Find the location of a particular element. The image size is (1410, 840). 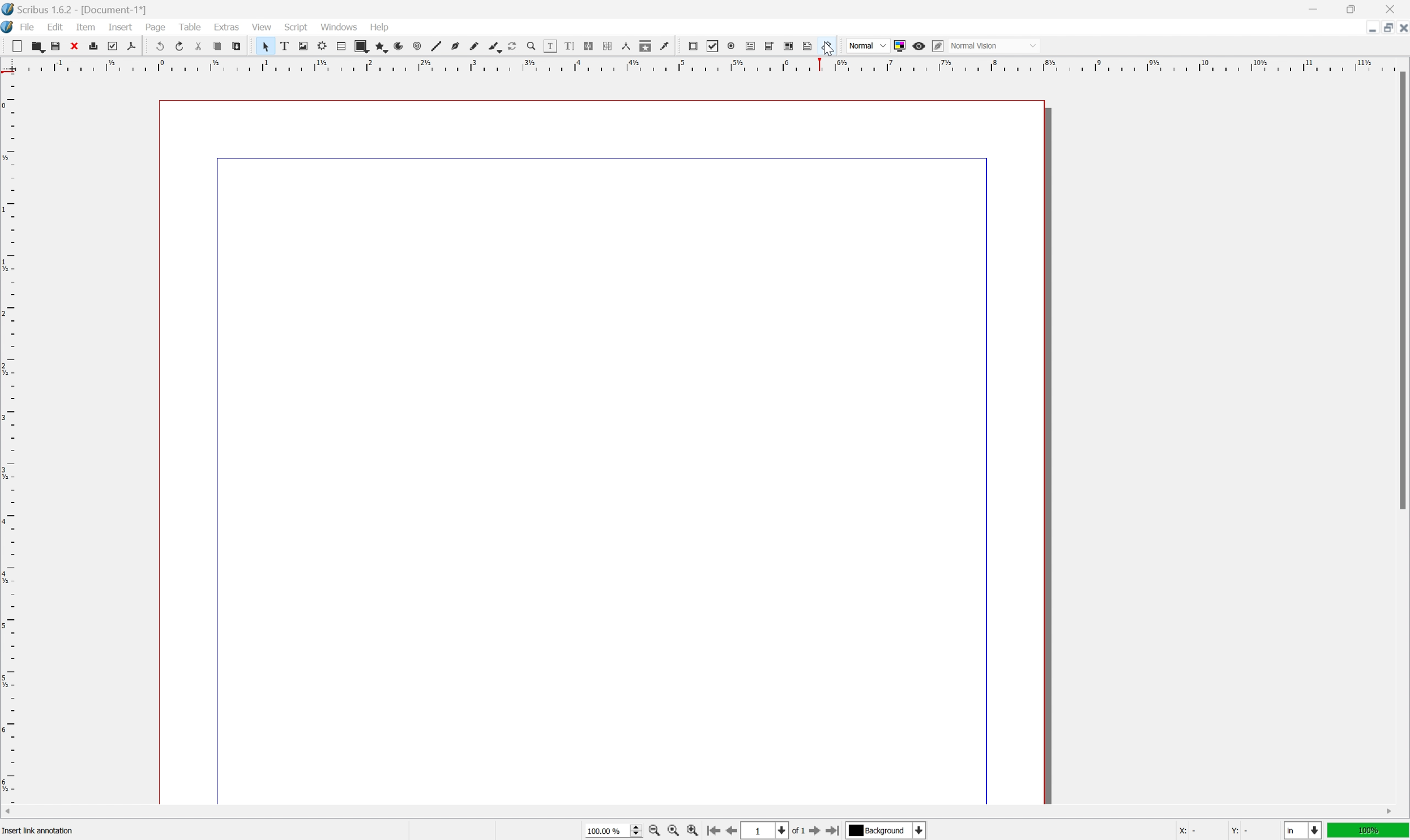

polygon is located at coordinates (380, 46).